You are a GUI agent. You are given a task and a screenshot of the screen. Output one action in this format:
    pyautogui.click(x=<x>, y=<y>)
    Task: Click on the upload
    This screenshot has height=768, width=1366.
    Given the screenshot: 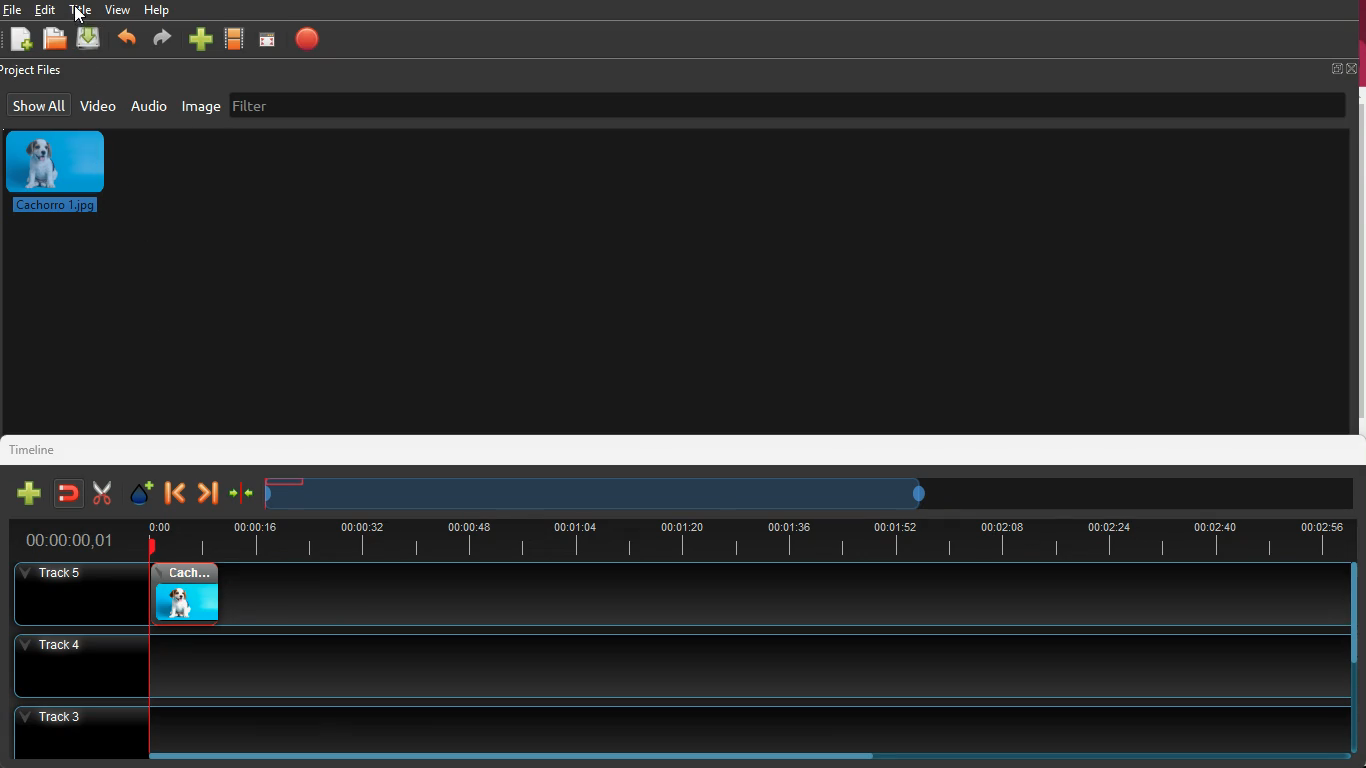 What is the action you would take?
    pyautogui.click(x=90, y=39)
    